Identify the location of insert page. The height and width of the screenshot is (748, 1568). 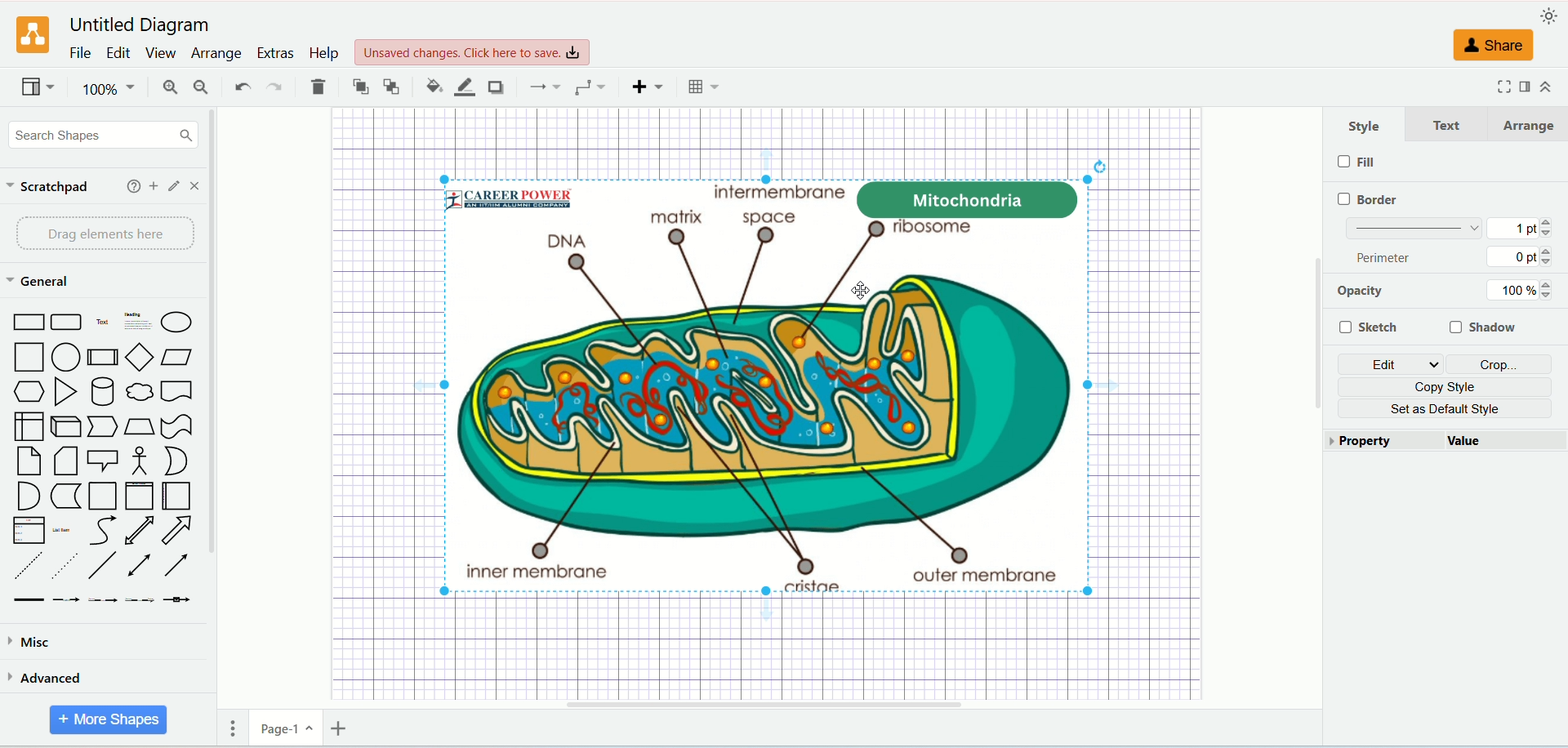
(339, 728).